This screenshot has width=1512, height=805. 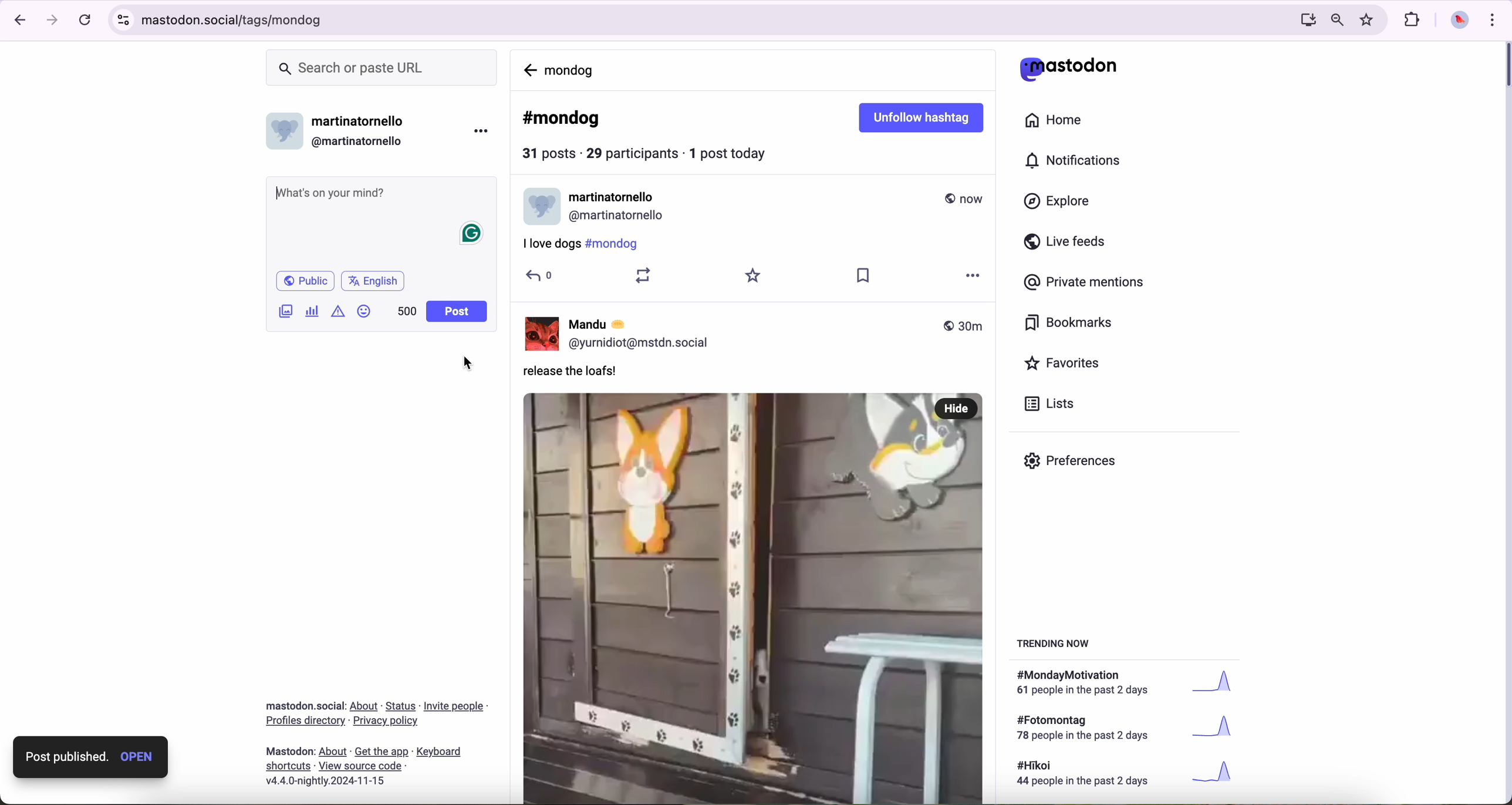 I want to click on link, so click(x=289, y=767).